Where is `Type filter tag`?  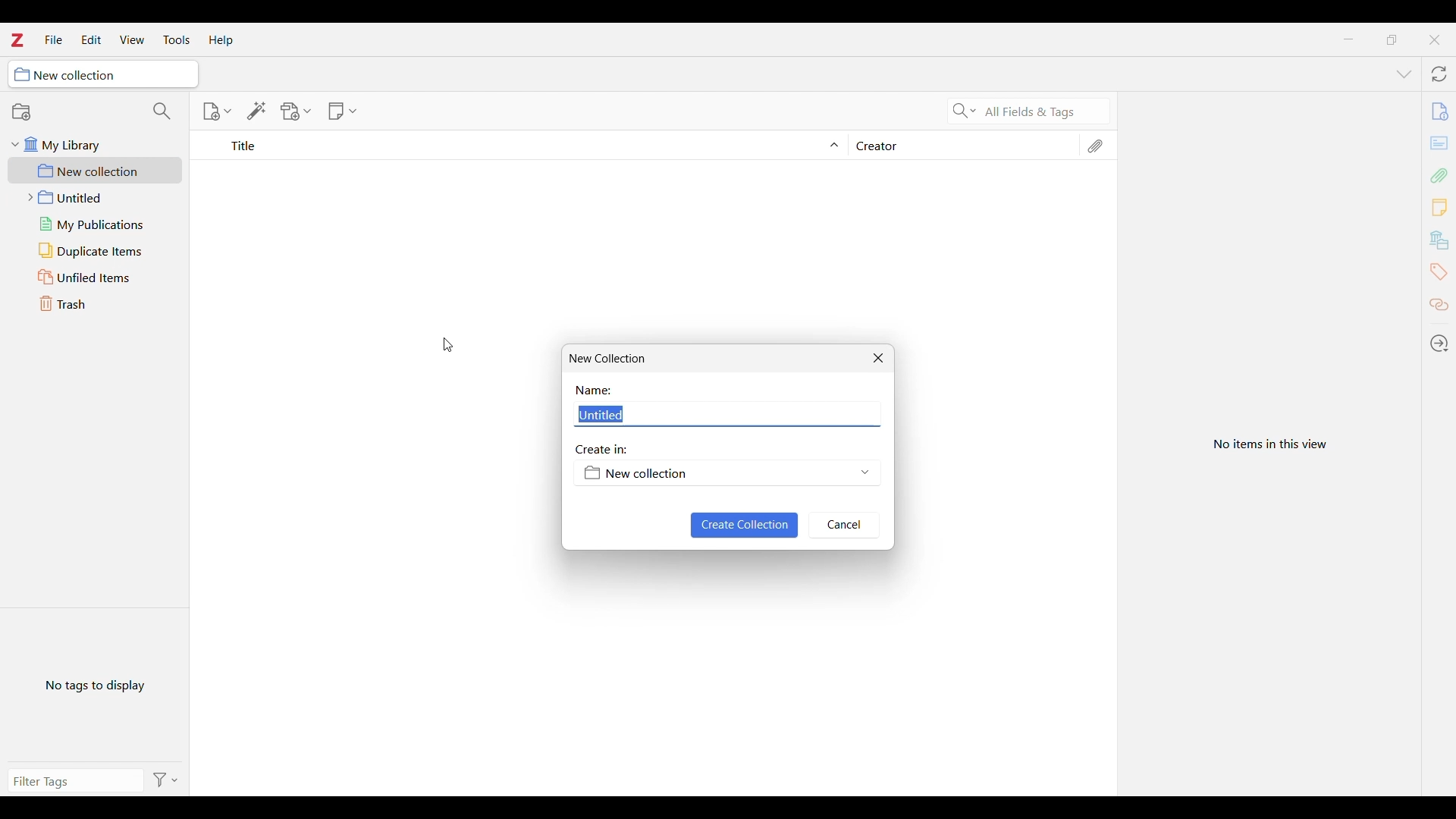
Type filter tag is located at coordinates (67, 780).